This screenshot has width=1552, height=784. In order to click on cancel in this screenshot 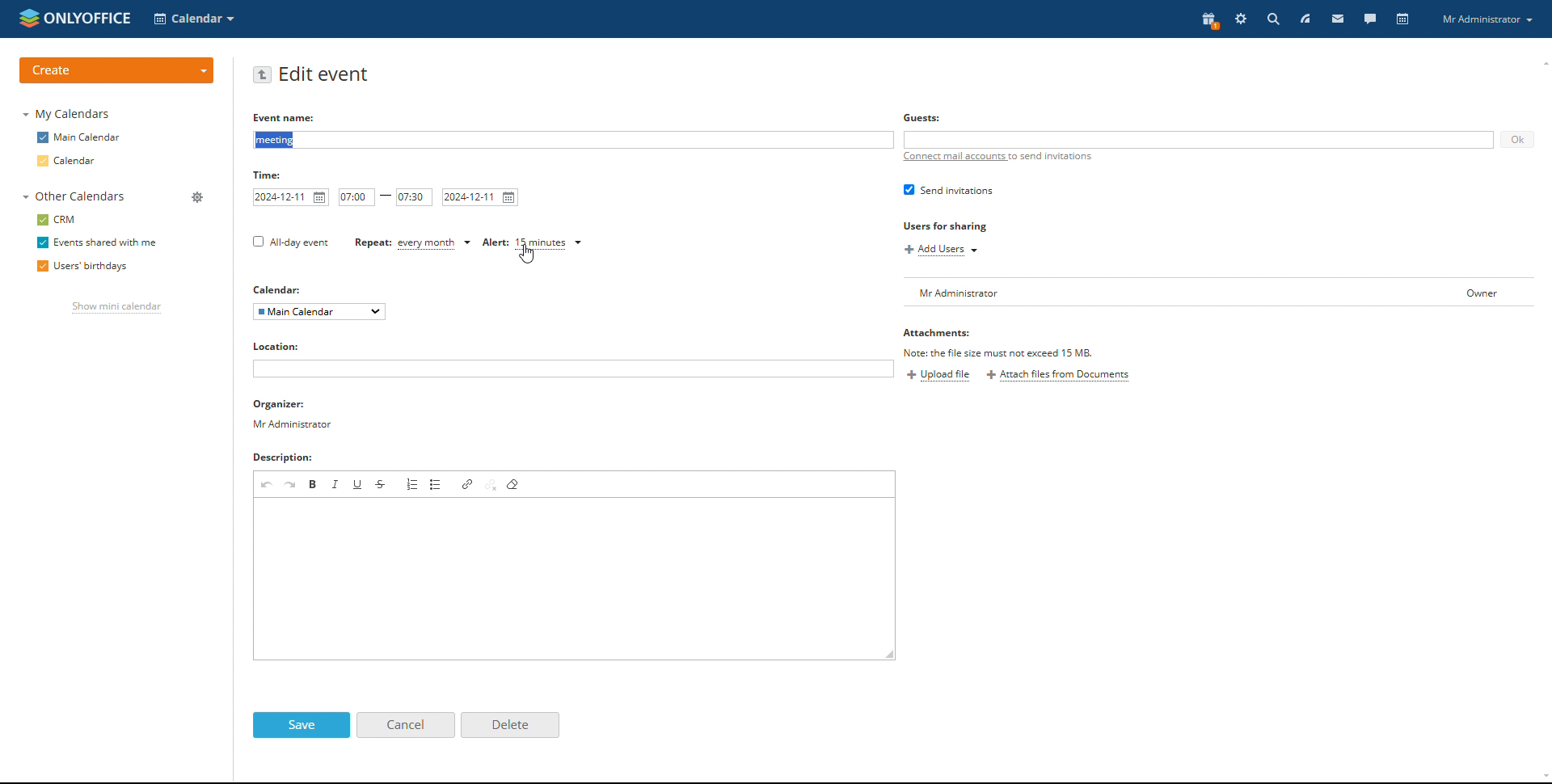, I will do `click(405, 725)`.